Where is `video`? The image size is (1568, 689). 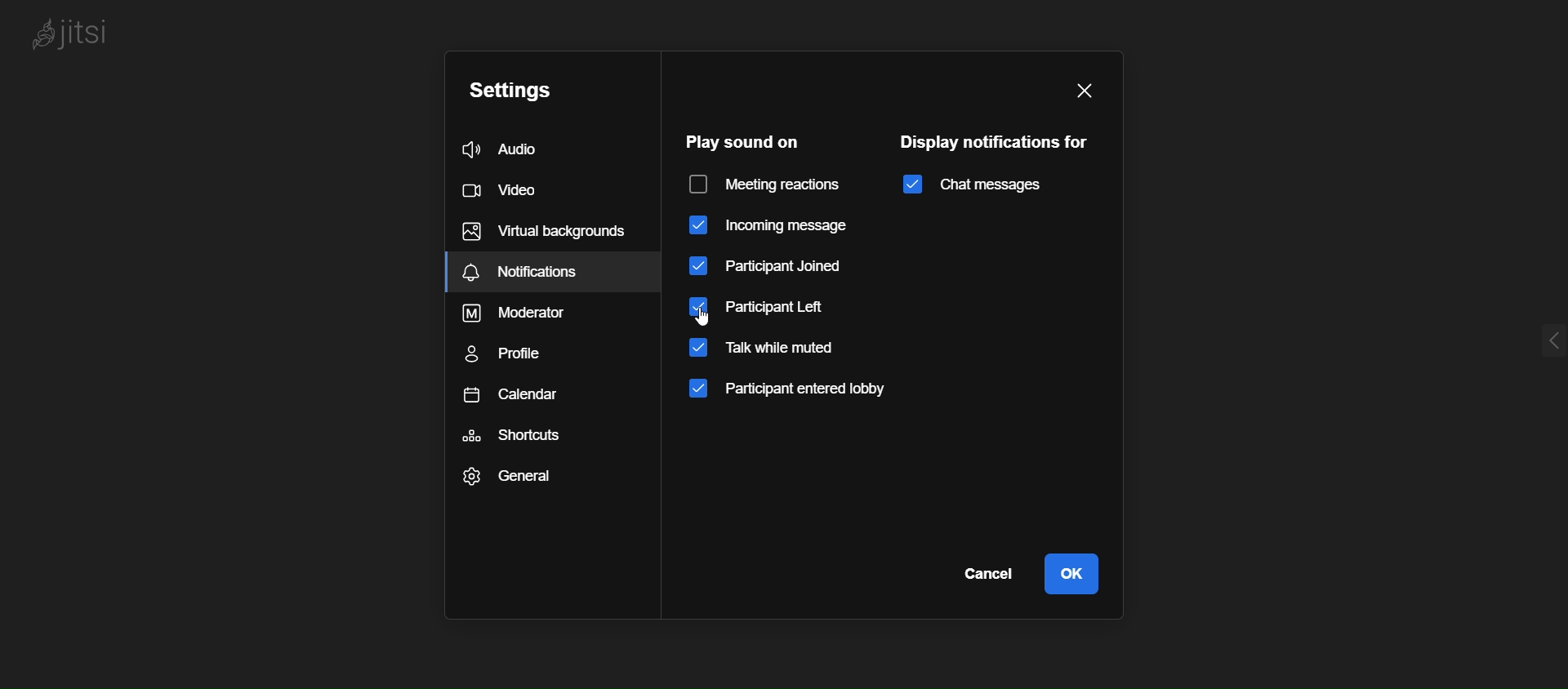
video is located at coordinates (506, 190).